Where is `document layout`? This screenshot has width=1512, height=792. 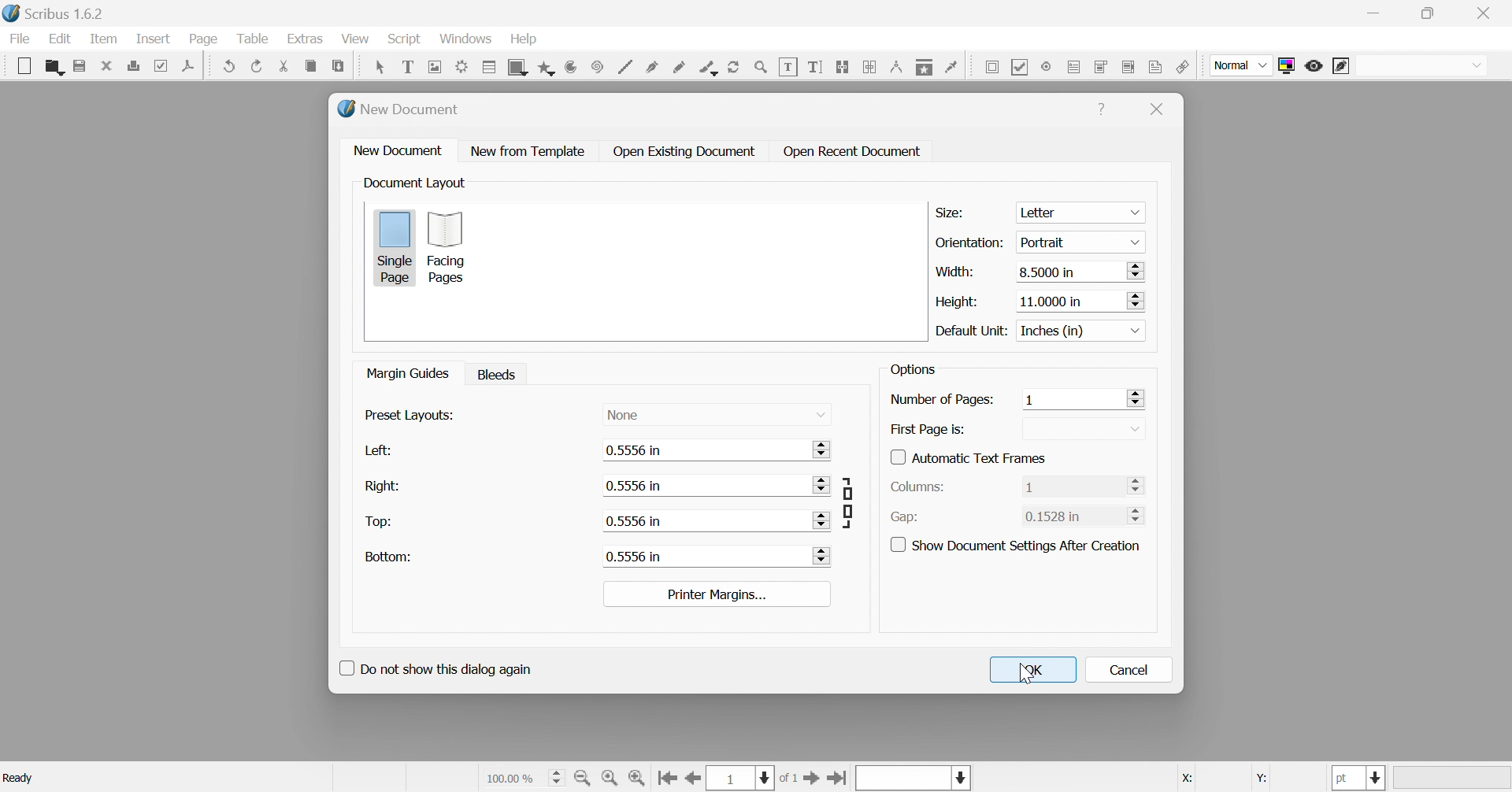 document layout is located at coordinates (417, 184).